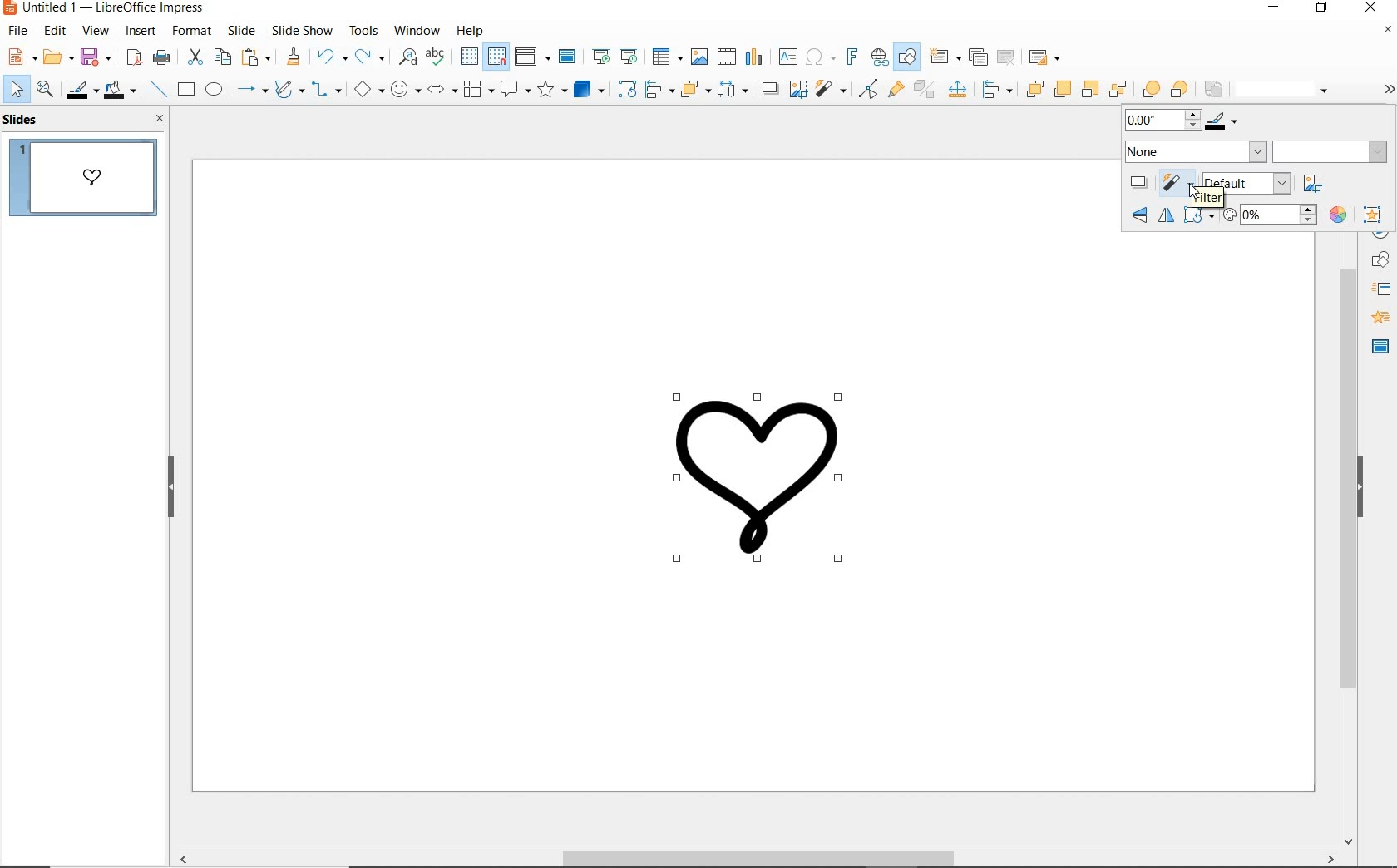 The width and height of the screenshot is (1397, 868). I want to click on start from first slide, so click(600, 57).